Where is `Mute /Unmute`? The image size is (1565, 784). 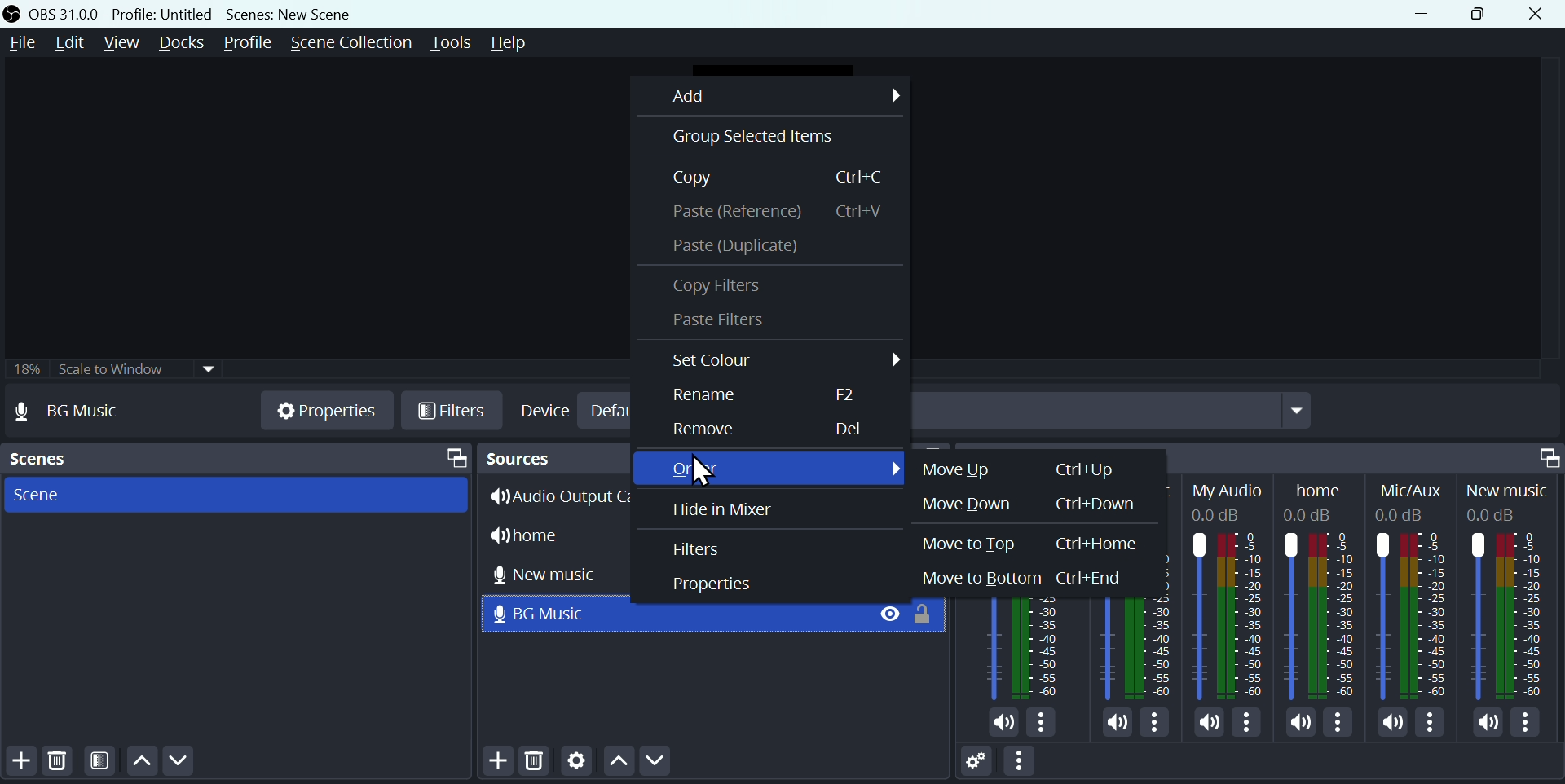 Mute /Unmute is located at coordinates (1487, 723).